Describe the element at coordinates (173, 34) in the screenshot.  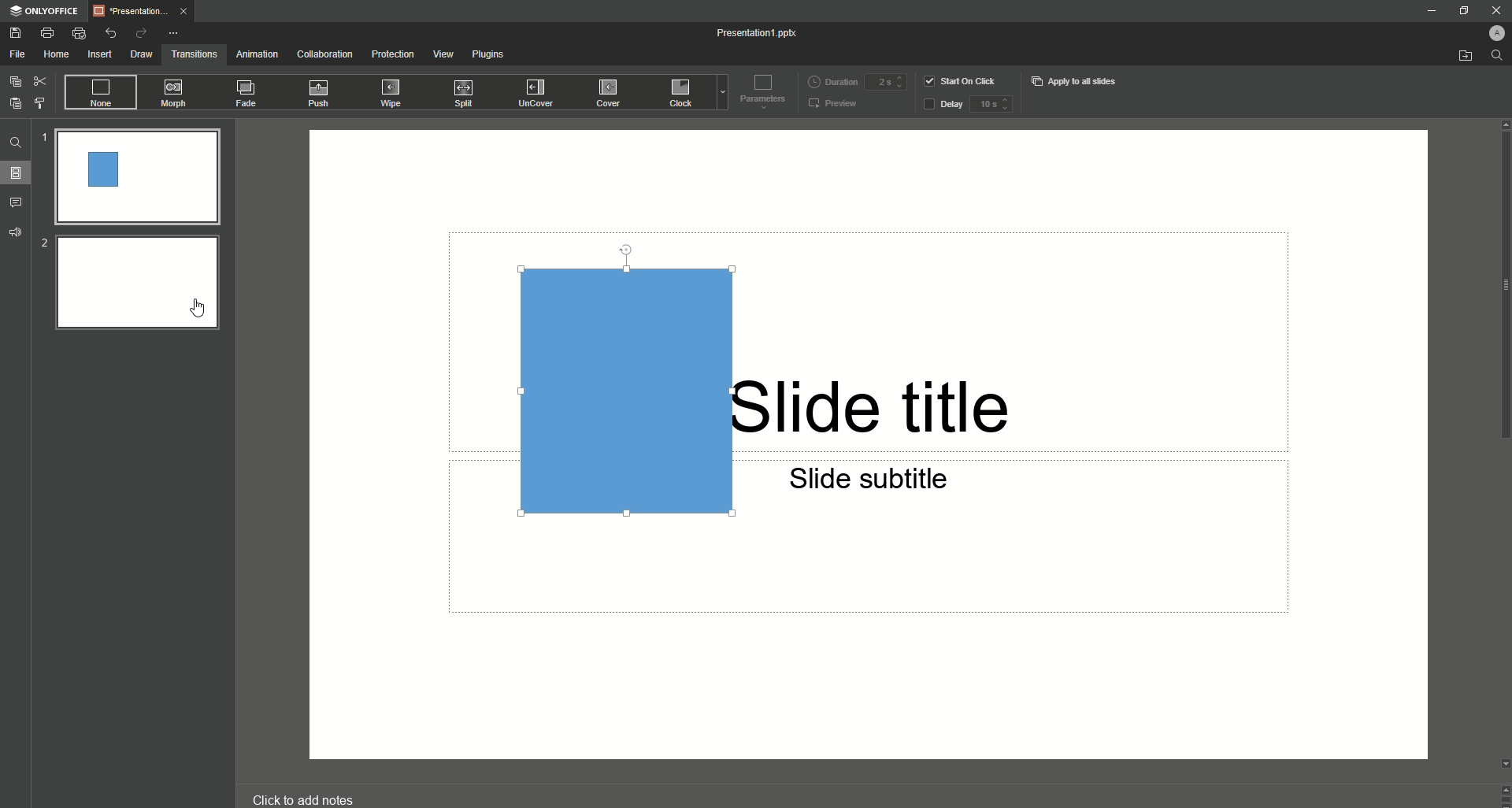
I see `More Options` at that location.